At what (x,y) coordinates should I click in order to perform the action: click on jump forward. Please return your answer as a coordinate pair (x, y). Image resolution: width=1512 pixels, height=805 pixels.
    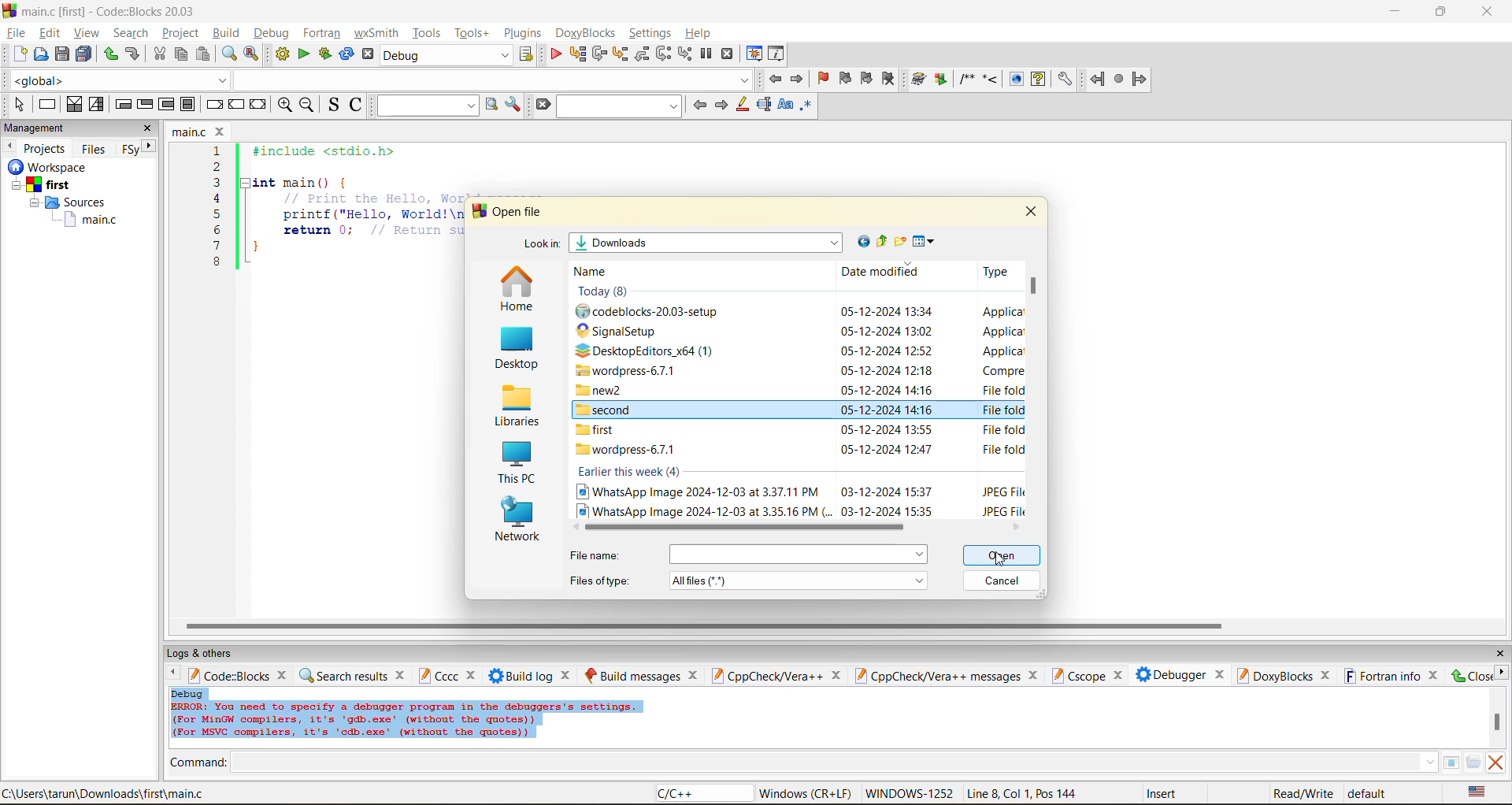
    Looking at the image, I should click on (799, 78).